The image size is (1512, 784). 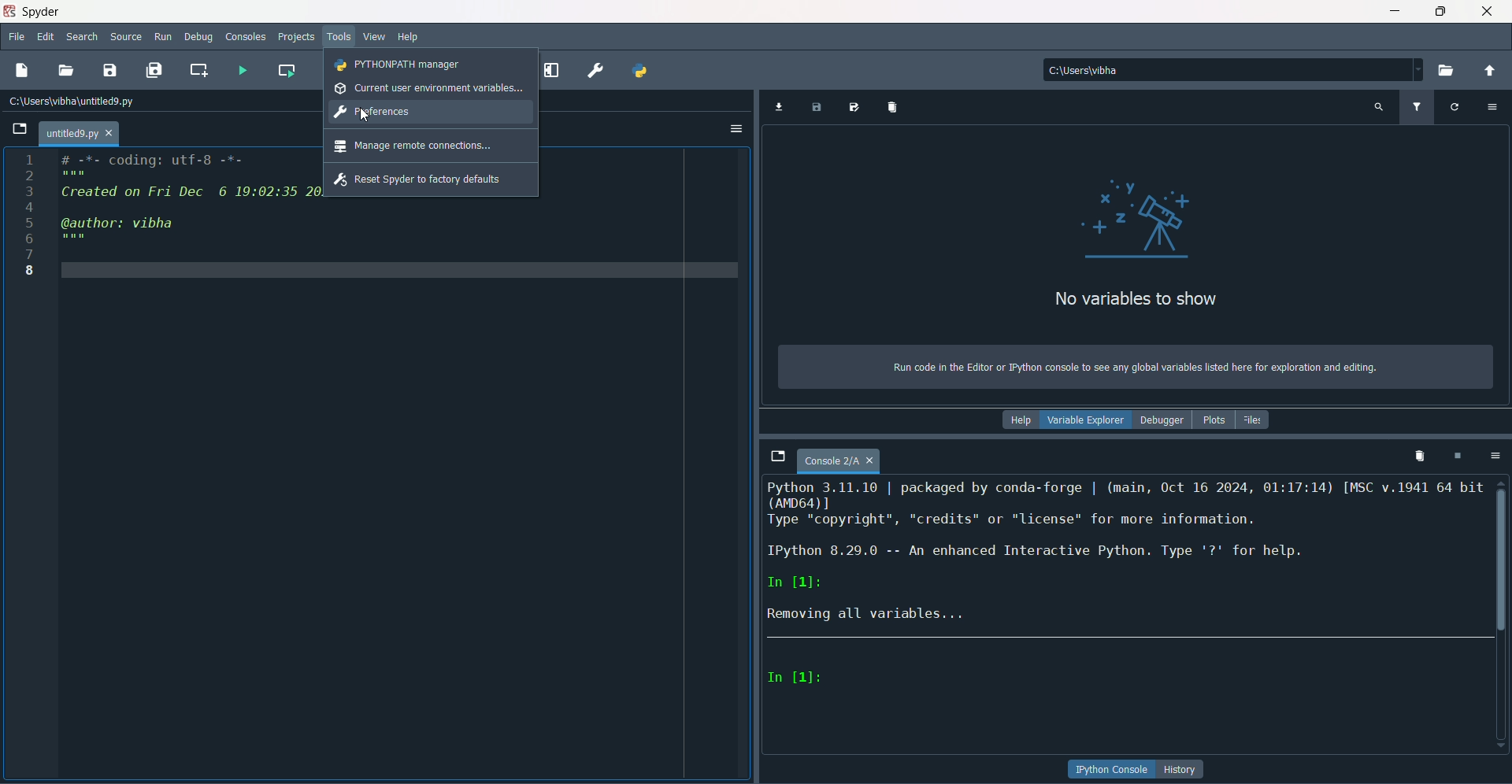 What do you see at coordinates (895, 106) in the screenshot?
I see `remove all variables` at bounding box center [895, 106].